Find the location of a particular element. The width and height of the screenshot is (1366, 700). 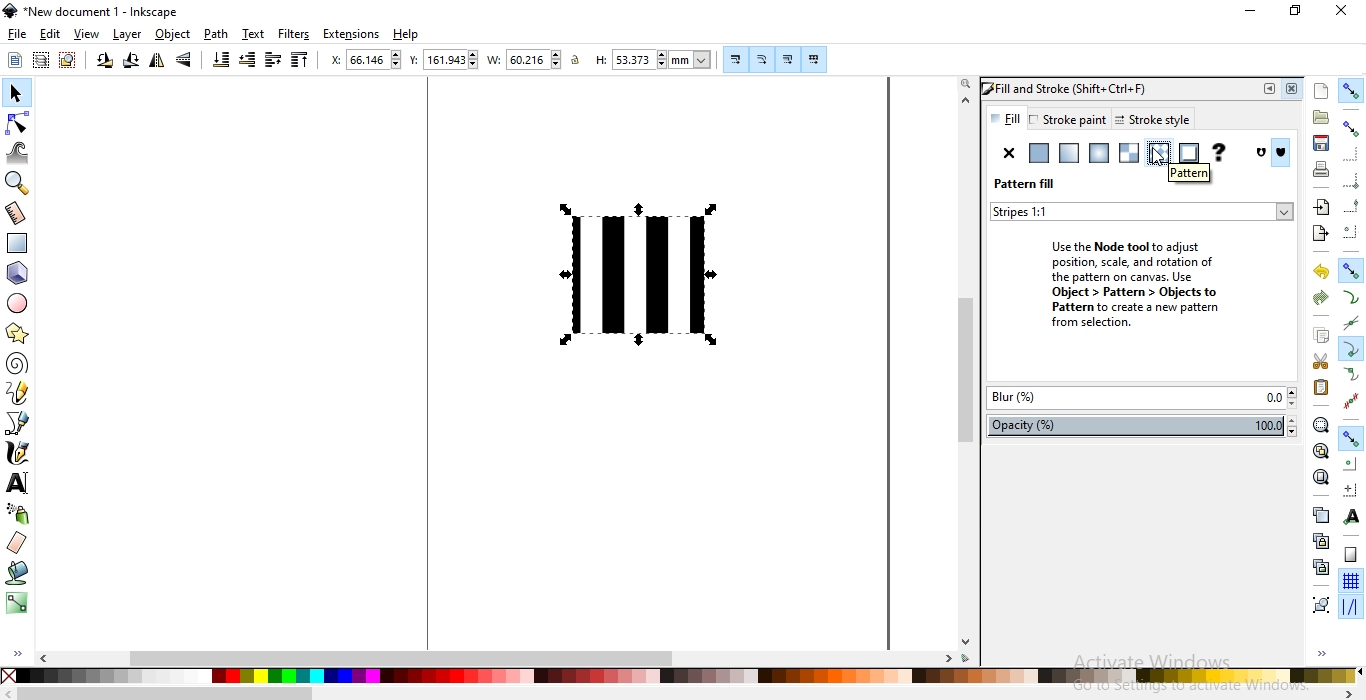

close is located at coordinates (1340, 12).